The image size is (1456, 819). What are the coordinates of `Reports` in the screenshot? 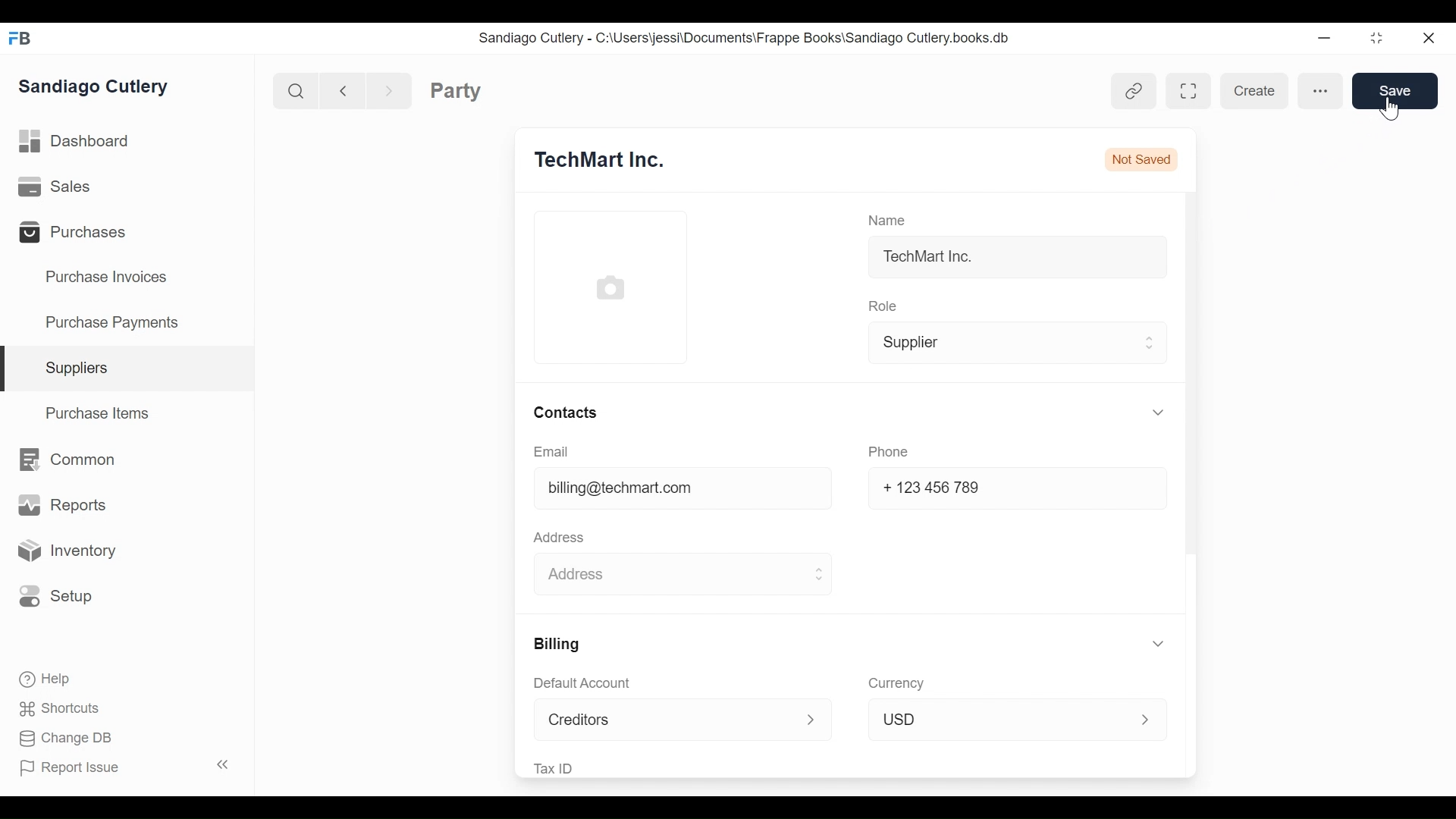 It's located at (60, 504).